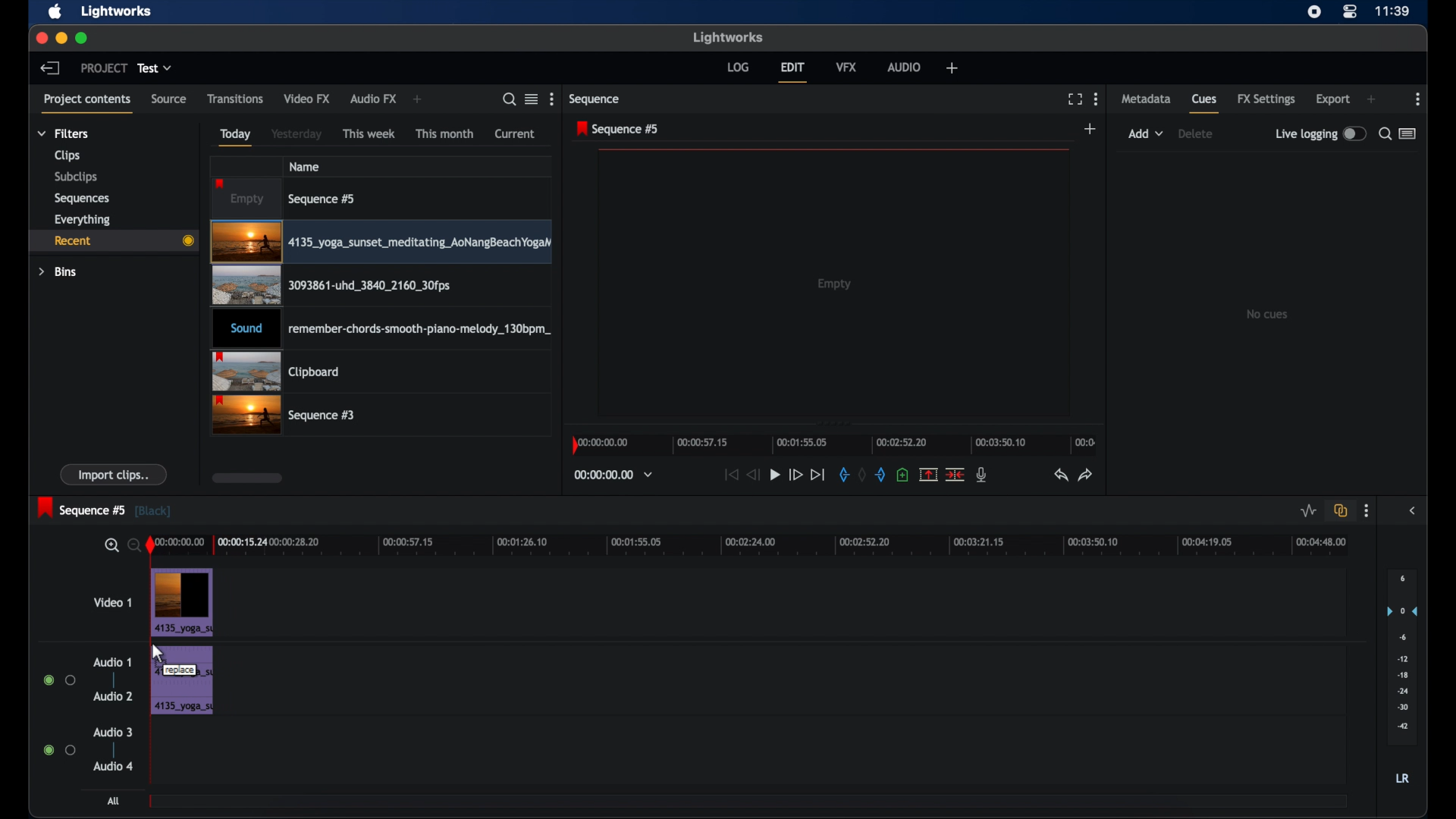 This screenshot has width=1456, height=819. I want to click on subclips, so click(77, 176).